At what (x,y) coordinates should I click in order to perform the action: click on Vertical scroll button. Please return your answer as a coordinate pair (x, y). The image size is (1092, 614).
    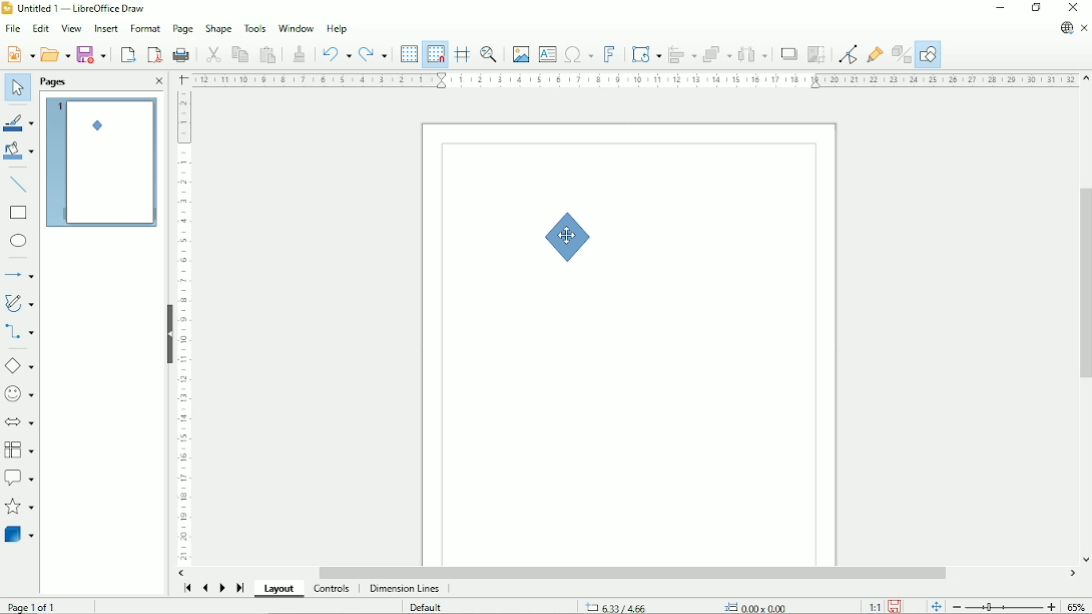
    Looking at the image, I should click on (1085, 559).